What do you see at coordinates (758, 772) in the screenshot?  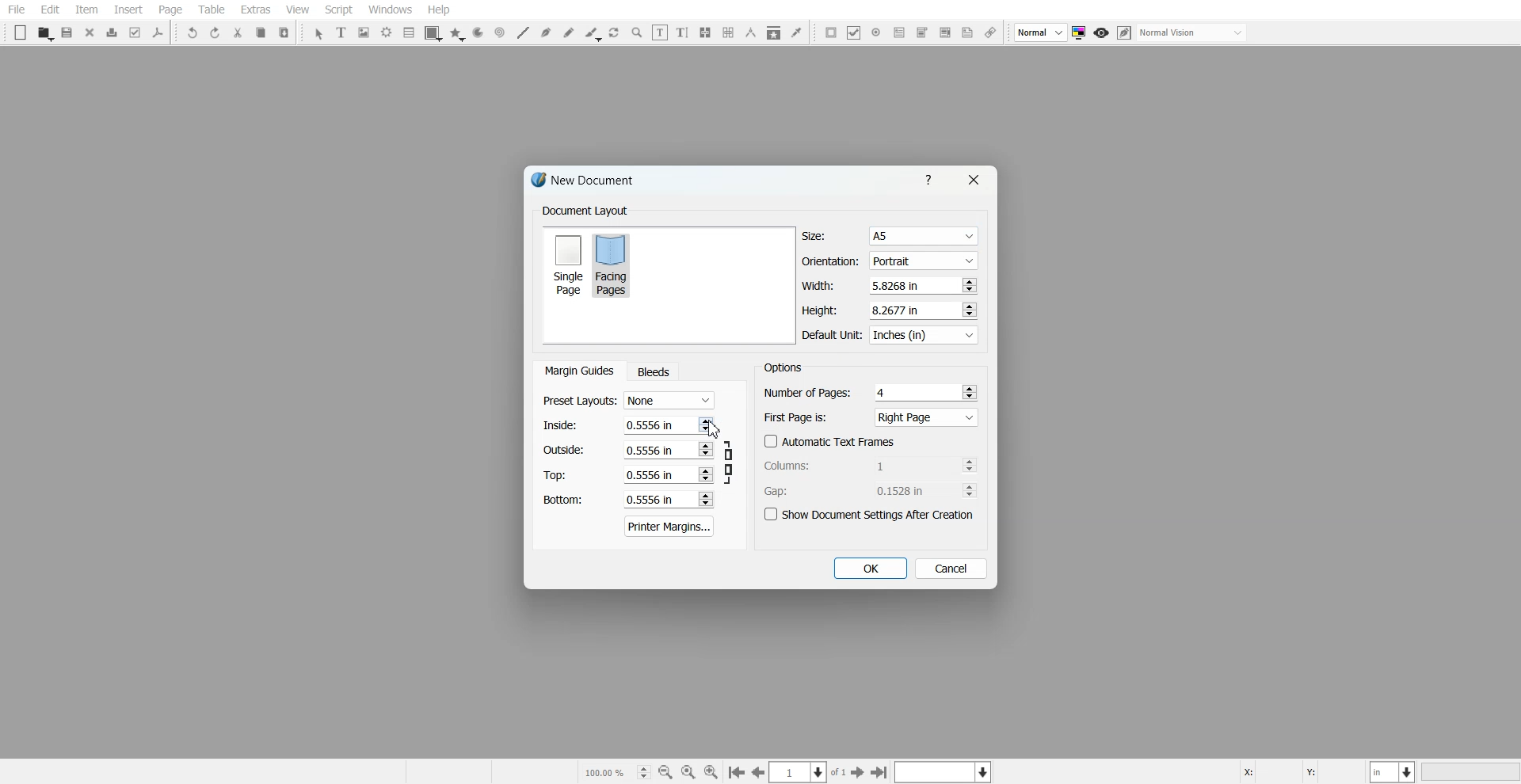 I see `Go to the previous page` at bounding box center [758, 772].